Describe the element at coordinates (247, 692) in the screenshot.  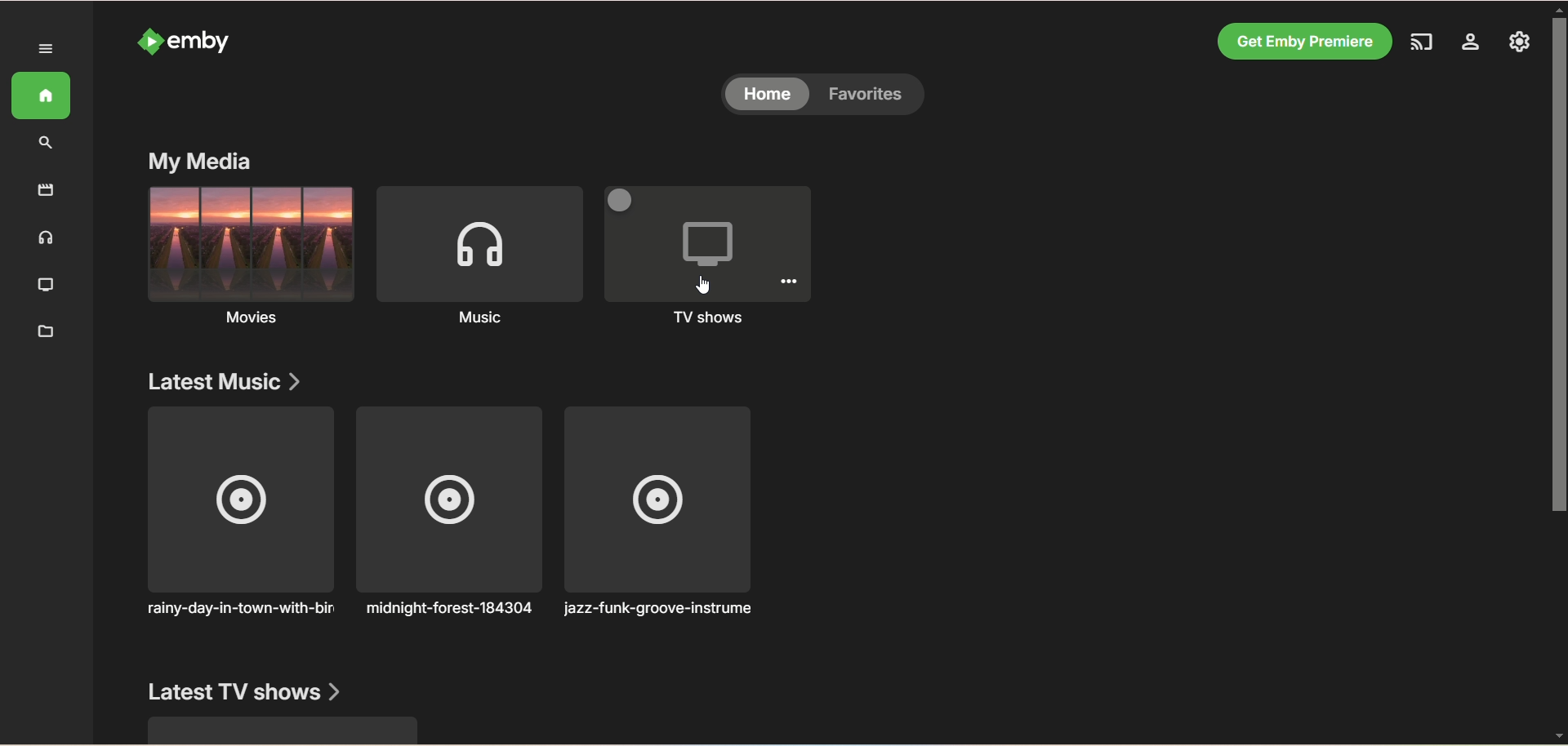
I see `Latest TV shows` at that location.